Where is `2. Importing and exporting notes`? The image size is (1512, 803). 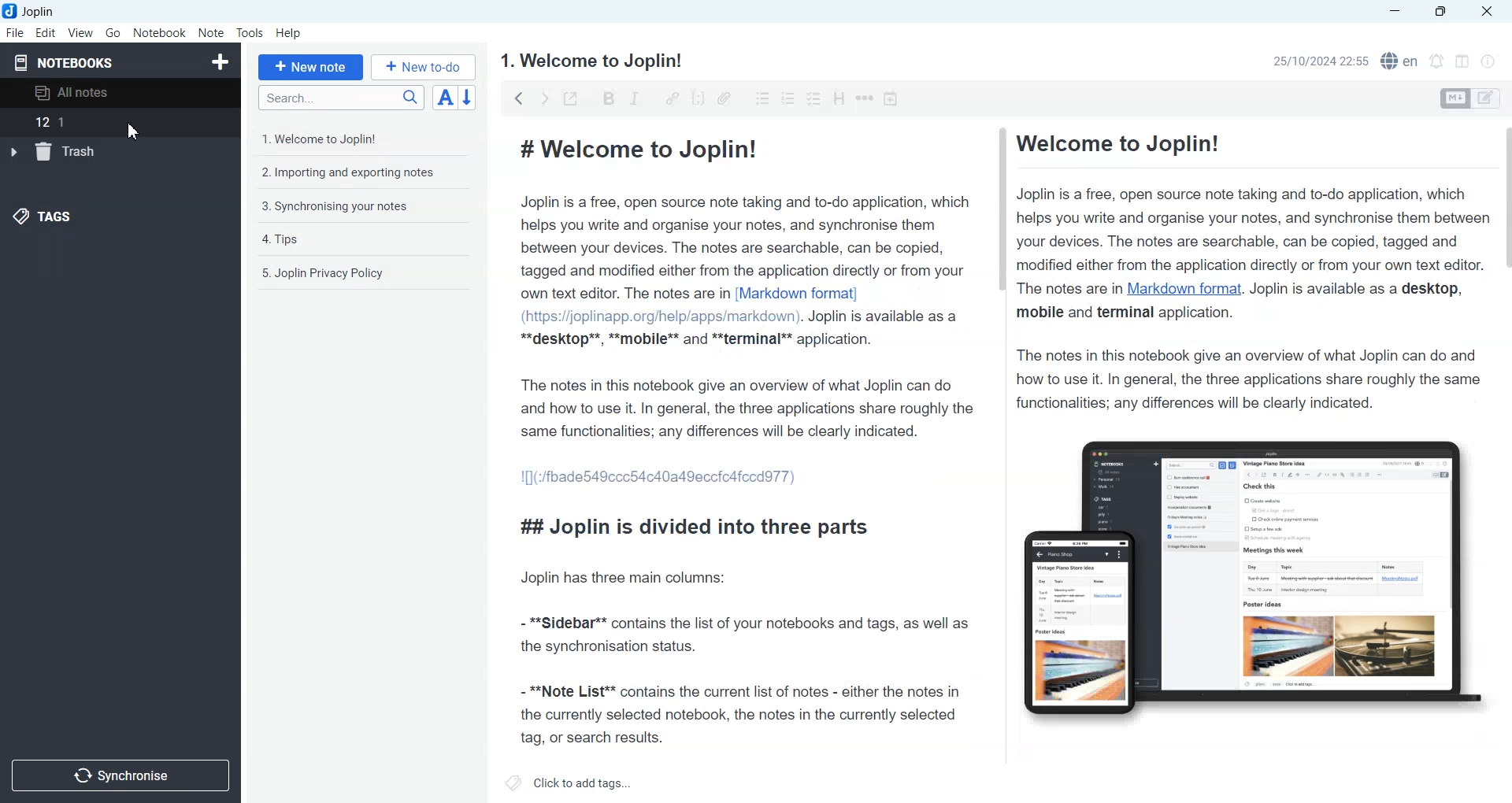 2. Importing and exporting notes is located at coordinates (350, 175).